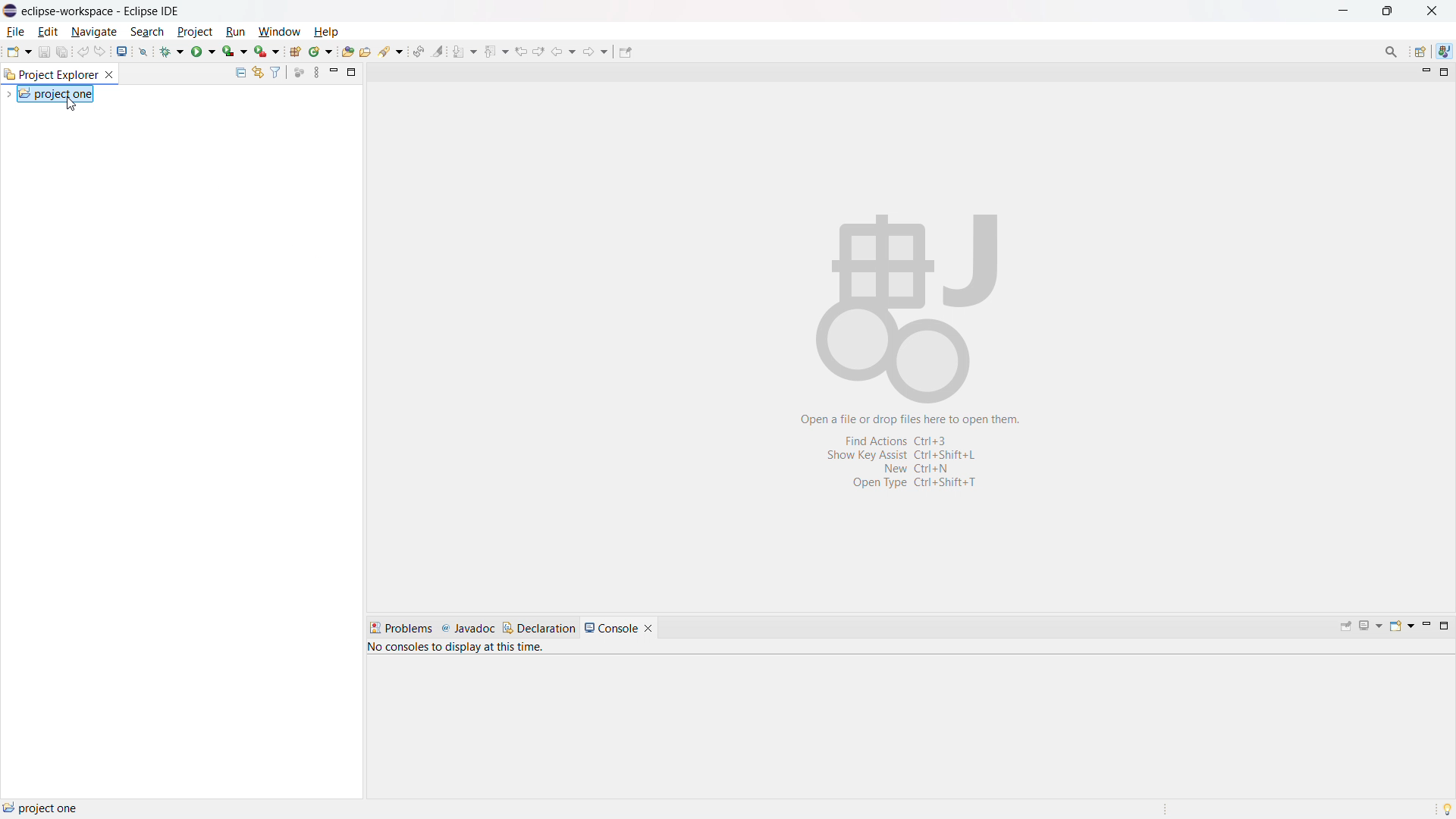 This screenshot has width=1456, height=819. What do you see at coordinates (563, 50) in the screenshot?
I see `back` at bounding box center [563, 50].